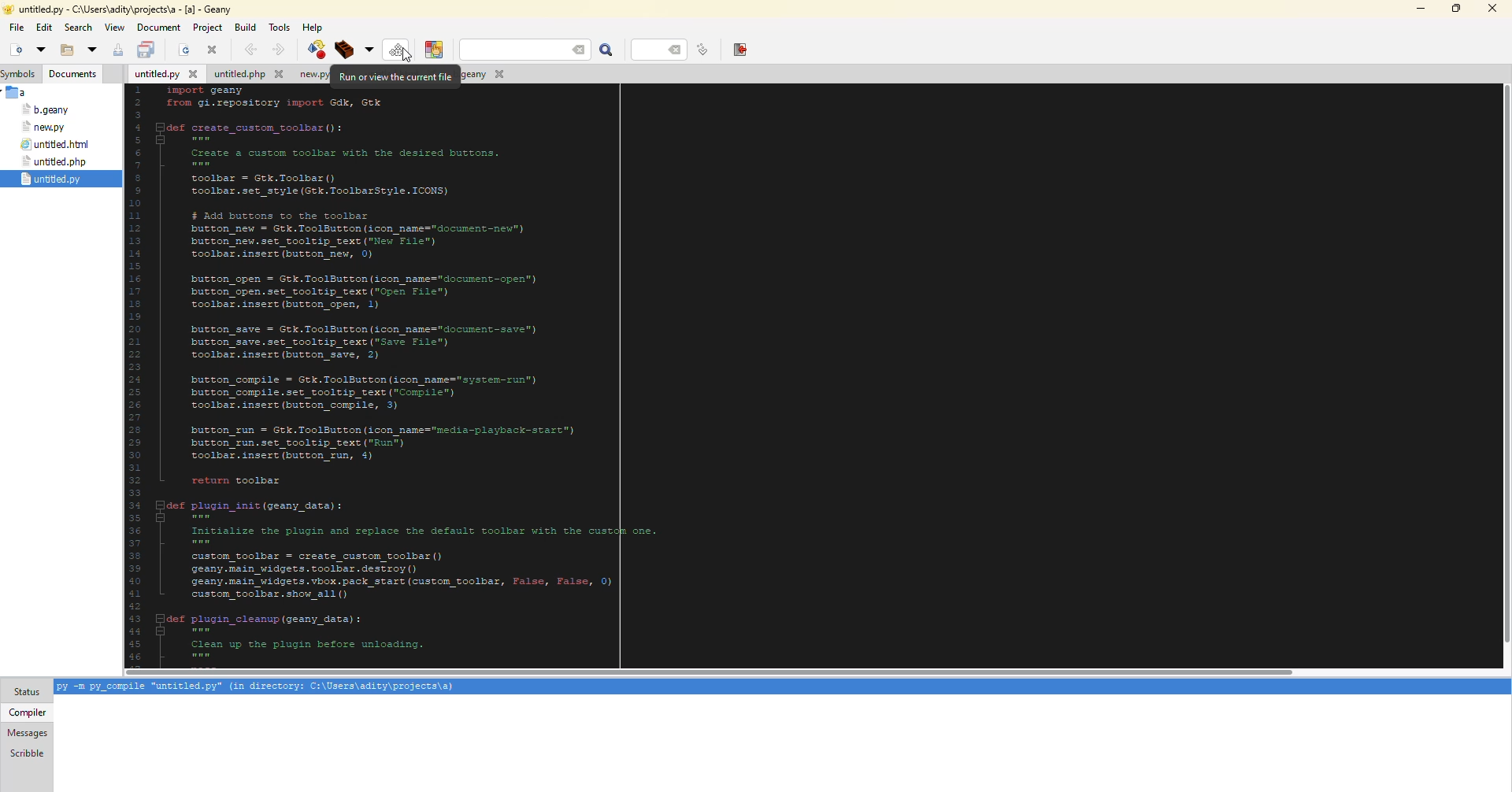  What do you see at coordinates (435, 50) in the screenshot?
I see `color` at bounding box center [435, 50].